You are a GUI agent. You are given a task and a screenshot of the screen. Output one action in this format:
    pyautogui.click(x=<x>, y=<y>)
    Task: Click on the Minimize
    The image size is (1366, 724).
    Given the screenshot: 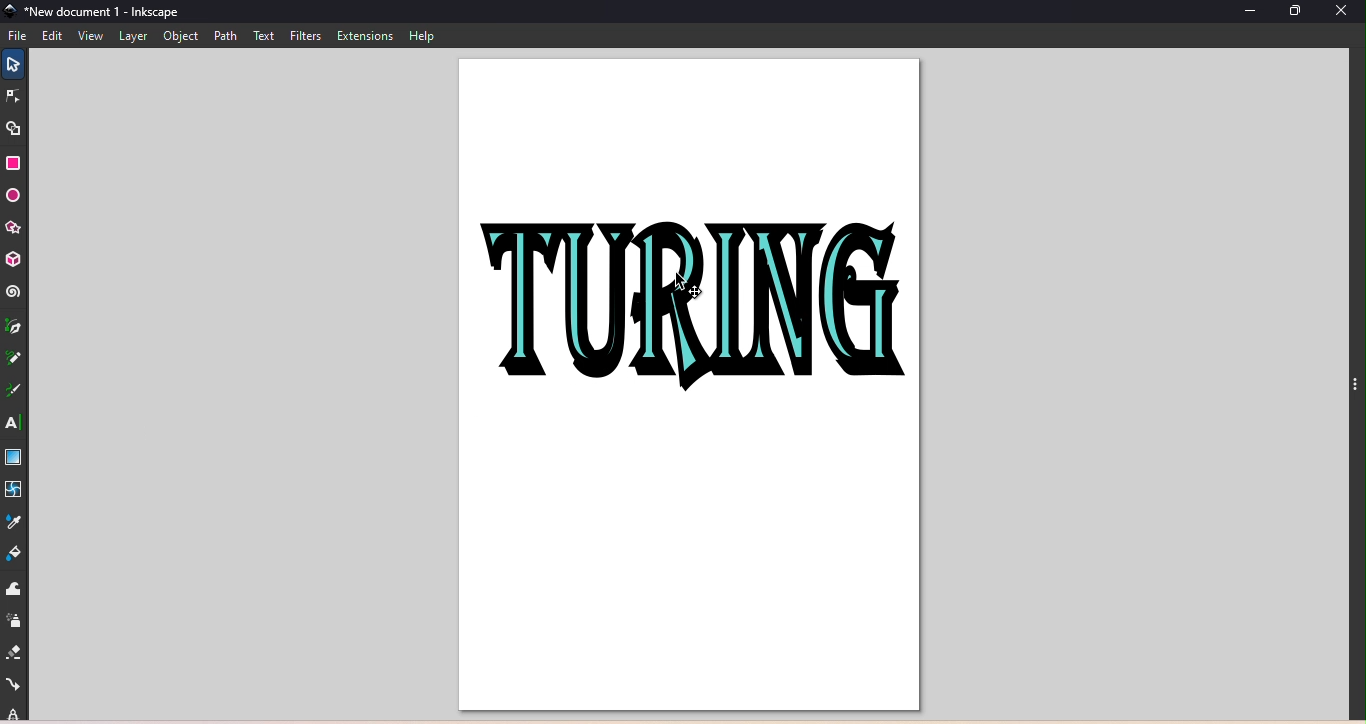 What is the action you would take?
    pyautogui.click(x=1248, y=13)
    